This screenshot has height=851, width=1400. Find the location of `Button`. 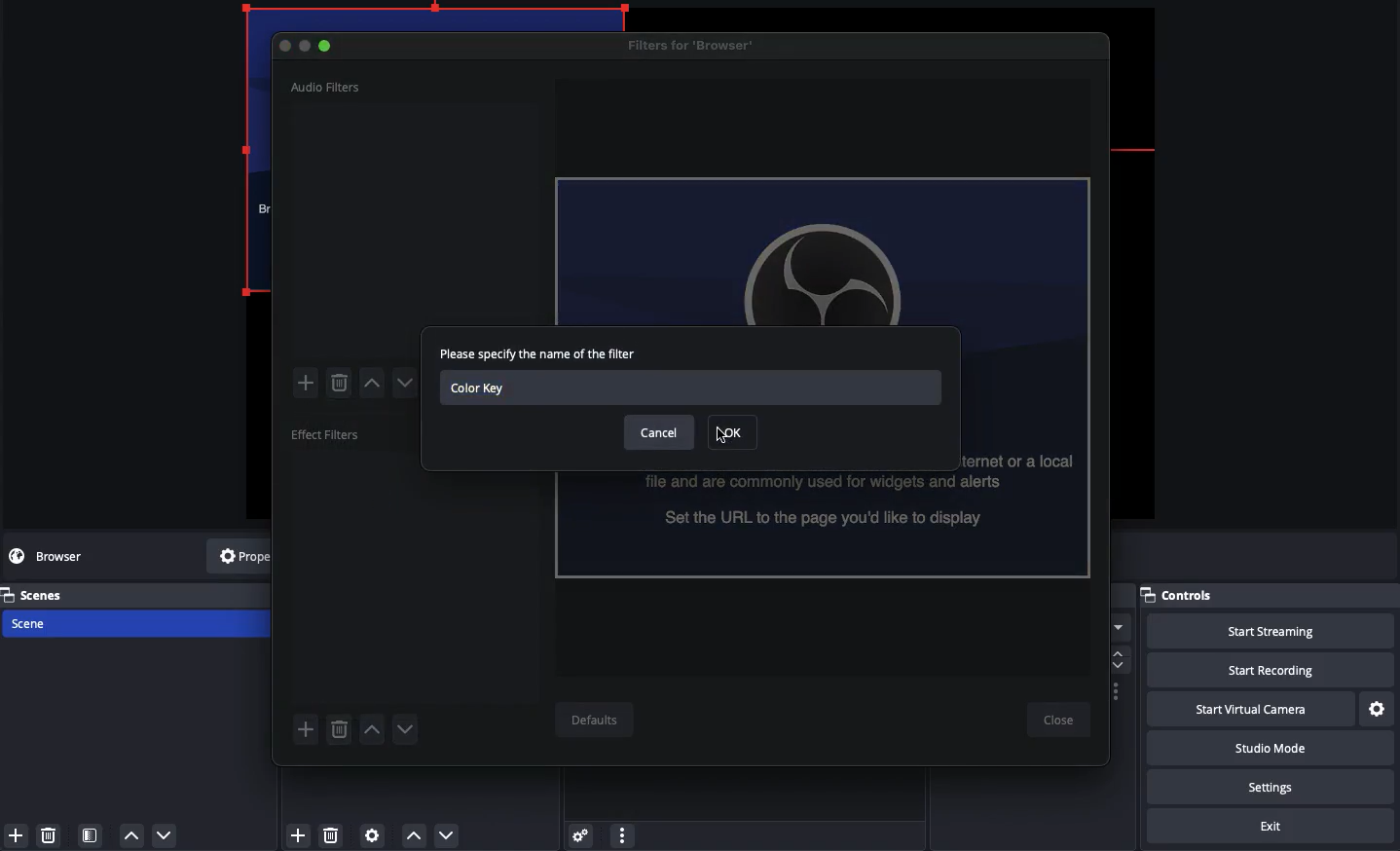

Button is located at coordinates (305, 47).